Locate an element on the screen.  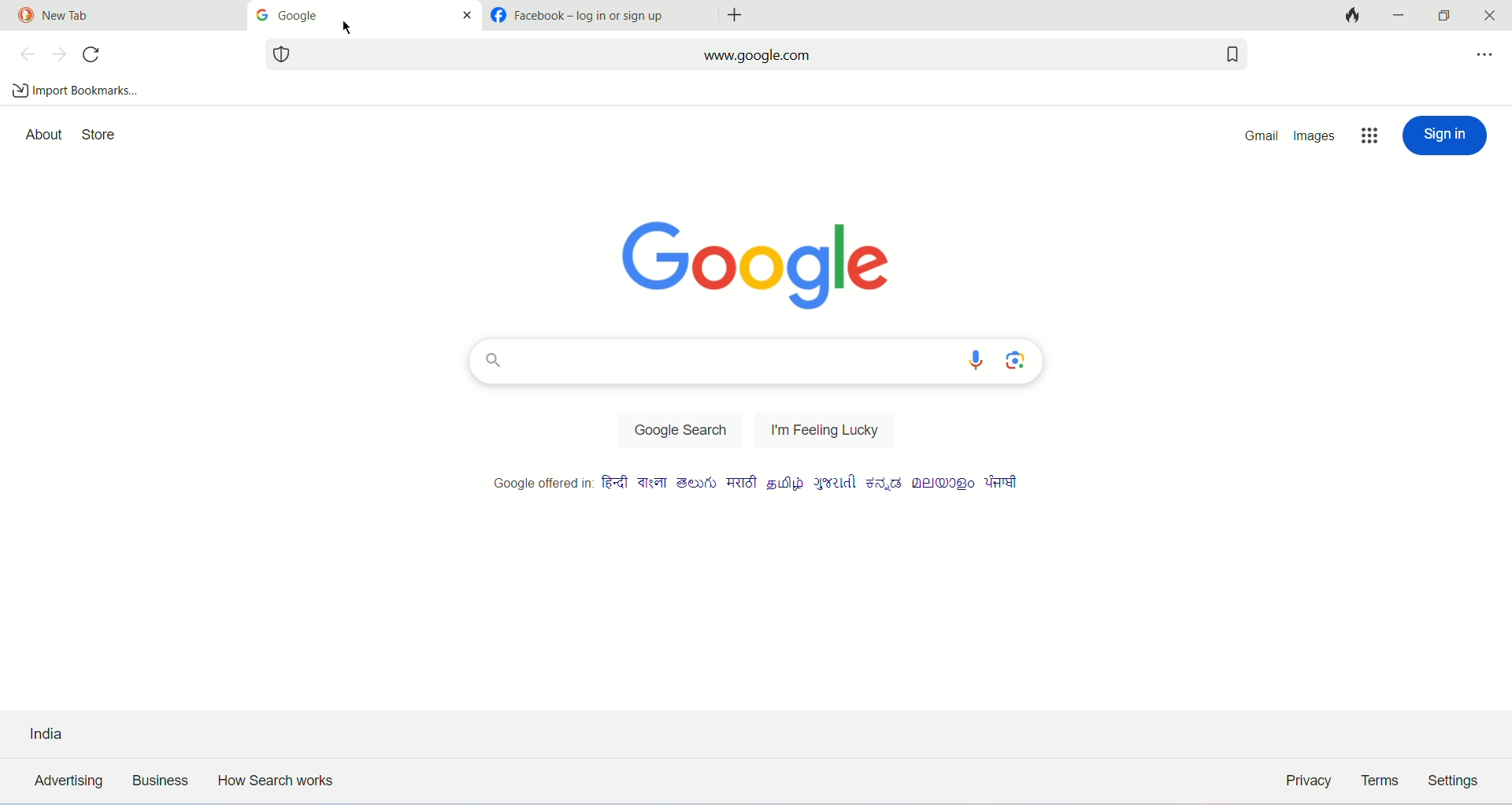
add tabs is located at coordinates (735, 17).